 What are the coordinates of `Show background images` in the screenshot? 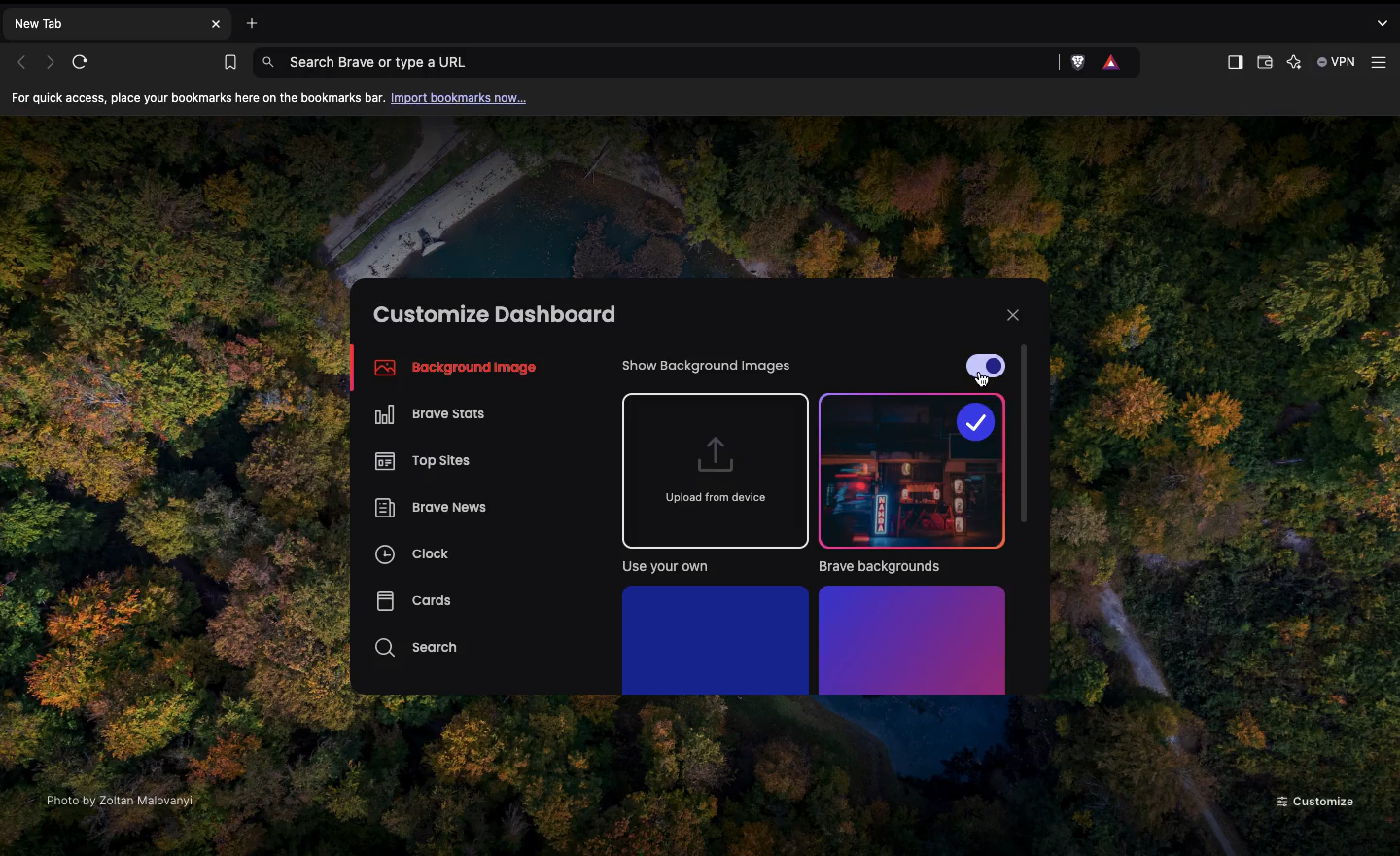 It's located at (713, 367).